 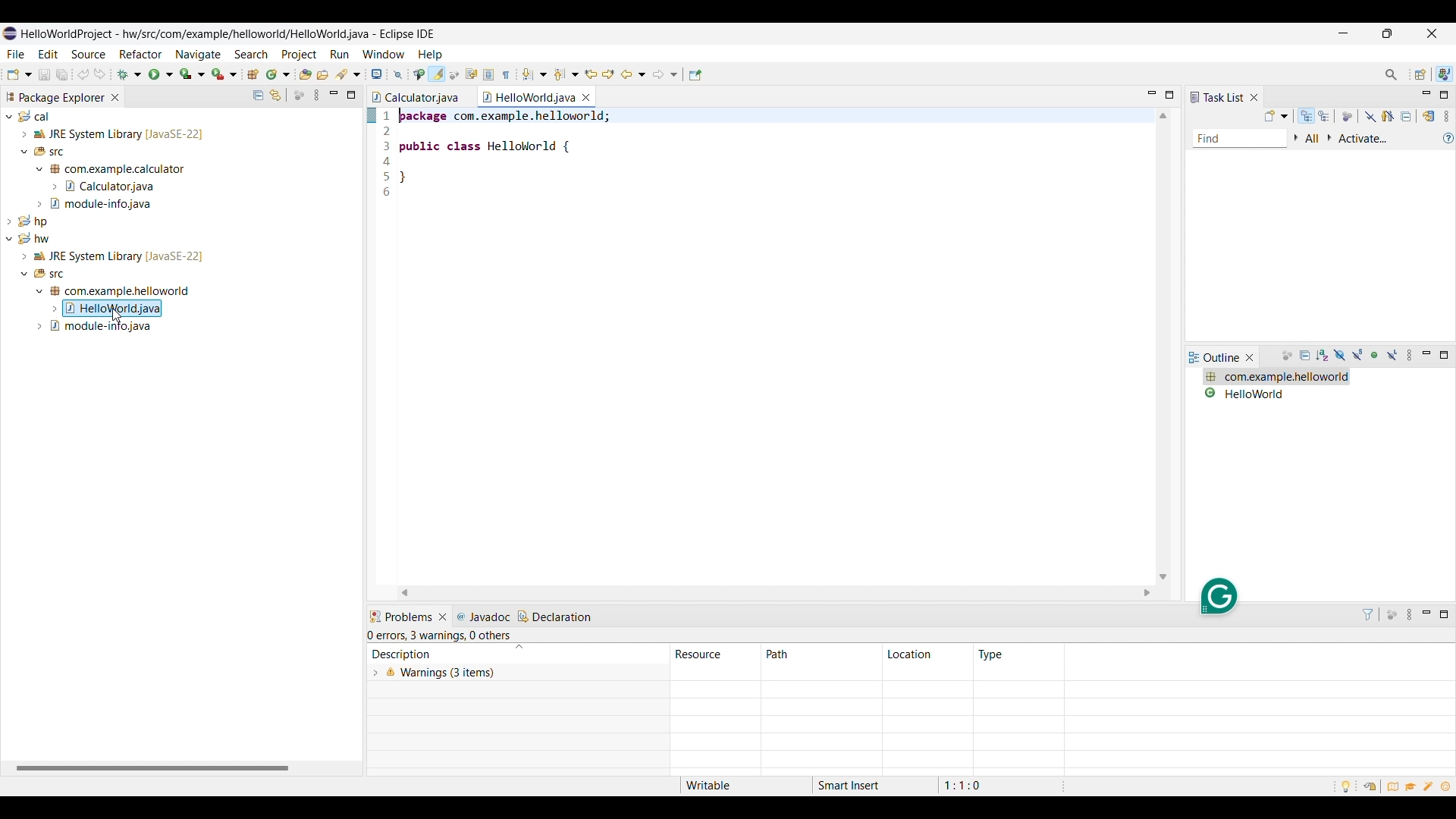 I want to click on Automatically fold uninteresting elements, so click(x=454, y=75).